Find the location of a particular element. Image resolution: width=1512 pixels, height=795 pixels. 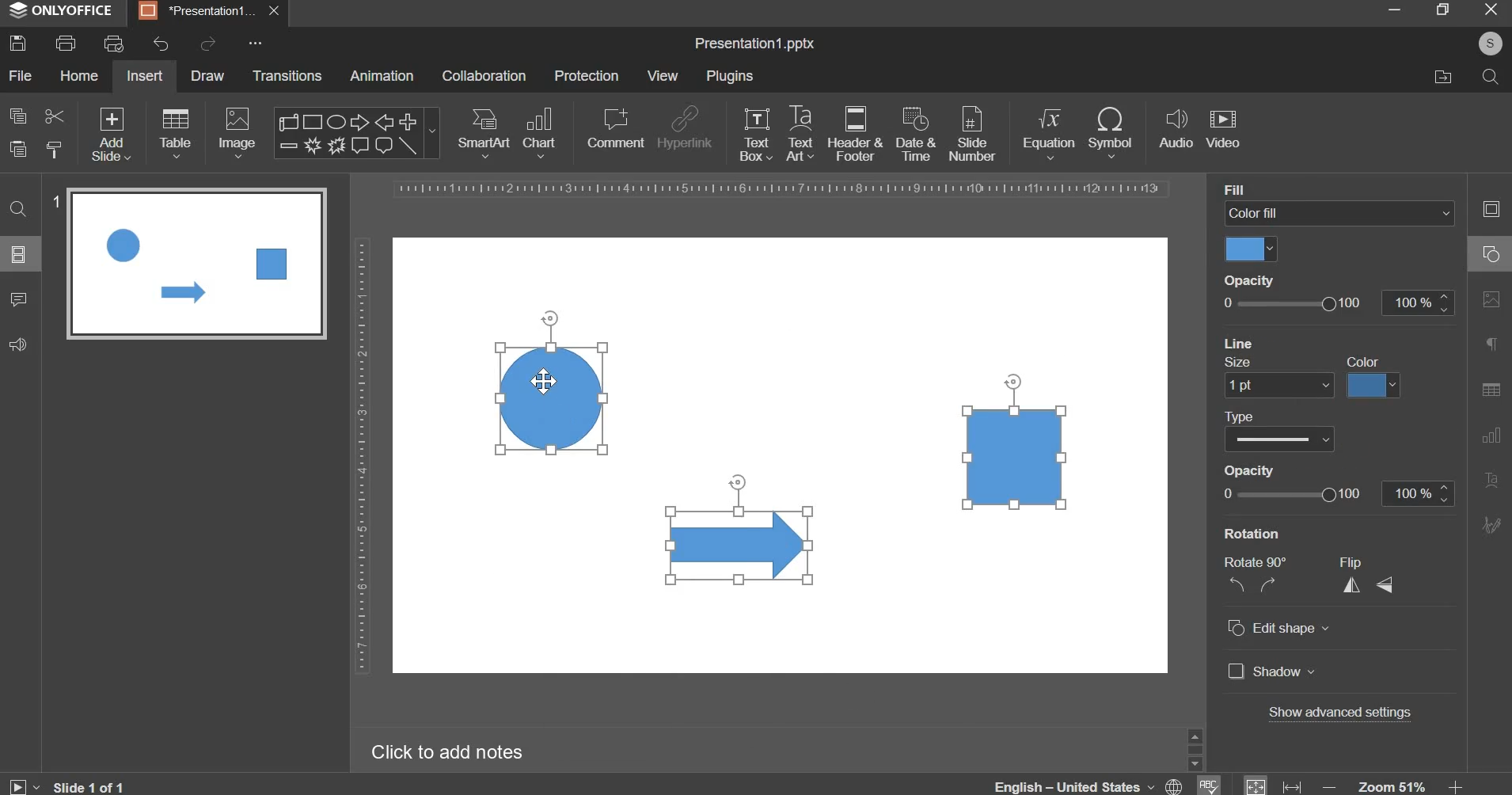

text box is located at coordinates (756, 134).